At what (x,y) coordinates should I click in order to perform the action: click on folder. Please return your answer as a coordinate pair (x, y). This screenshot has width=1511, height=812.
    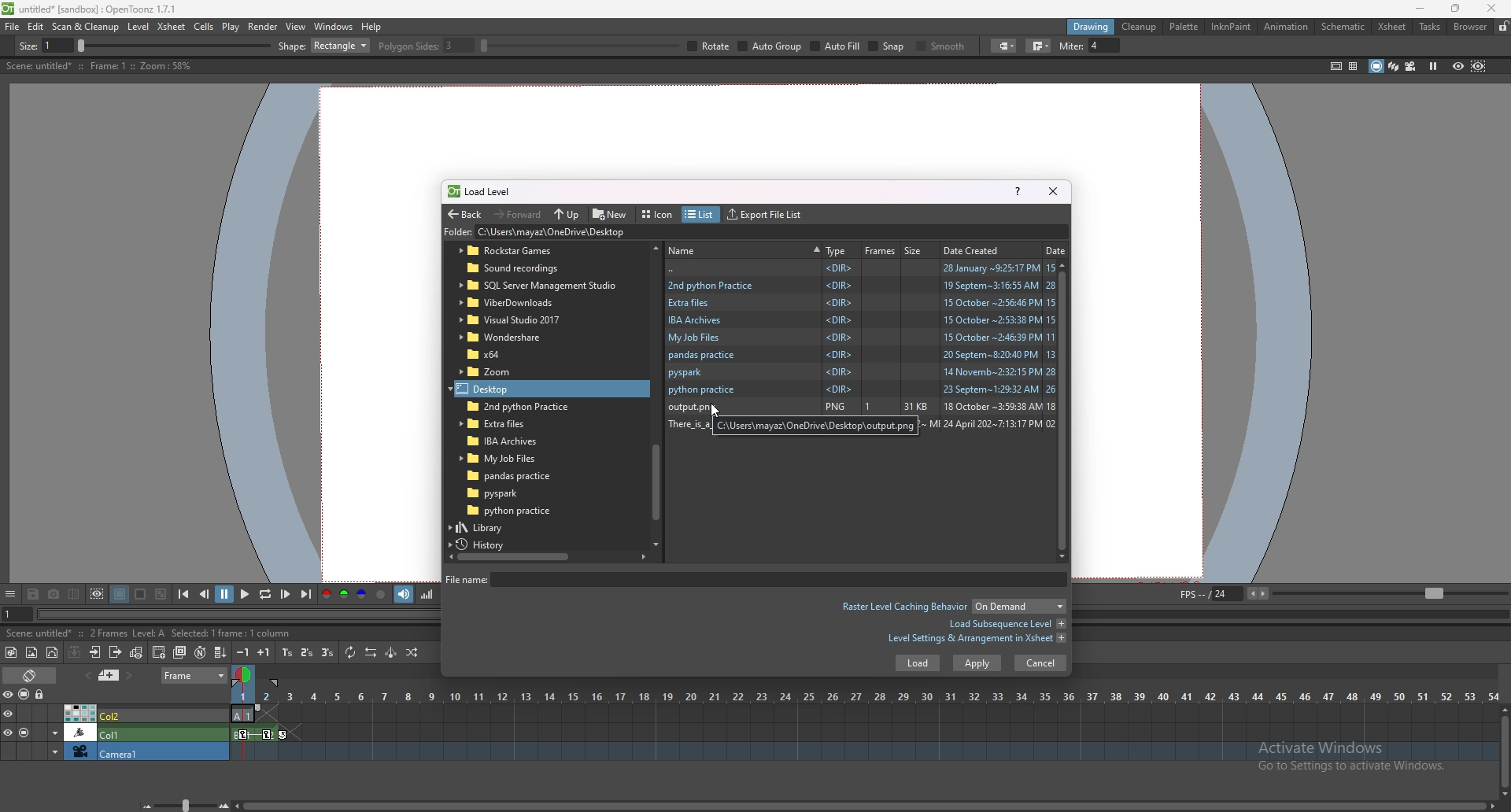
    Looking at the image, I should click on (514, 406).